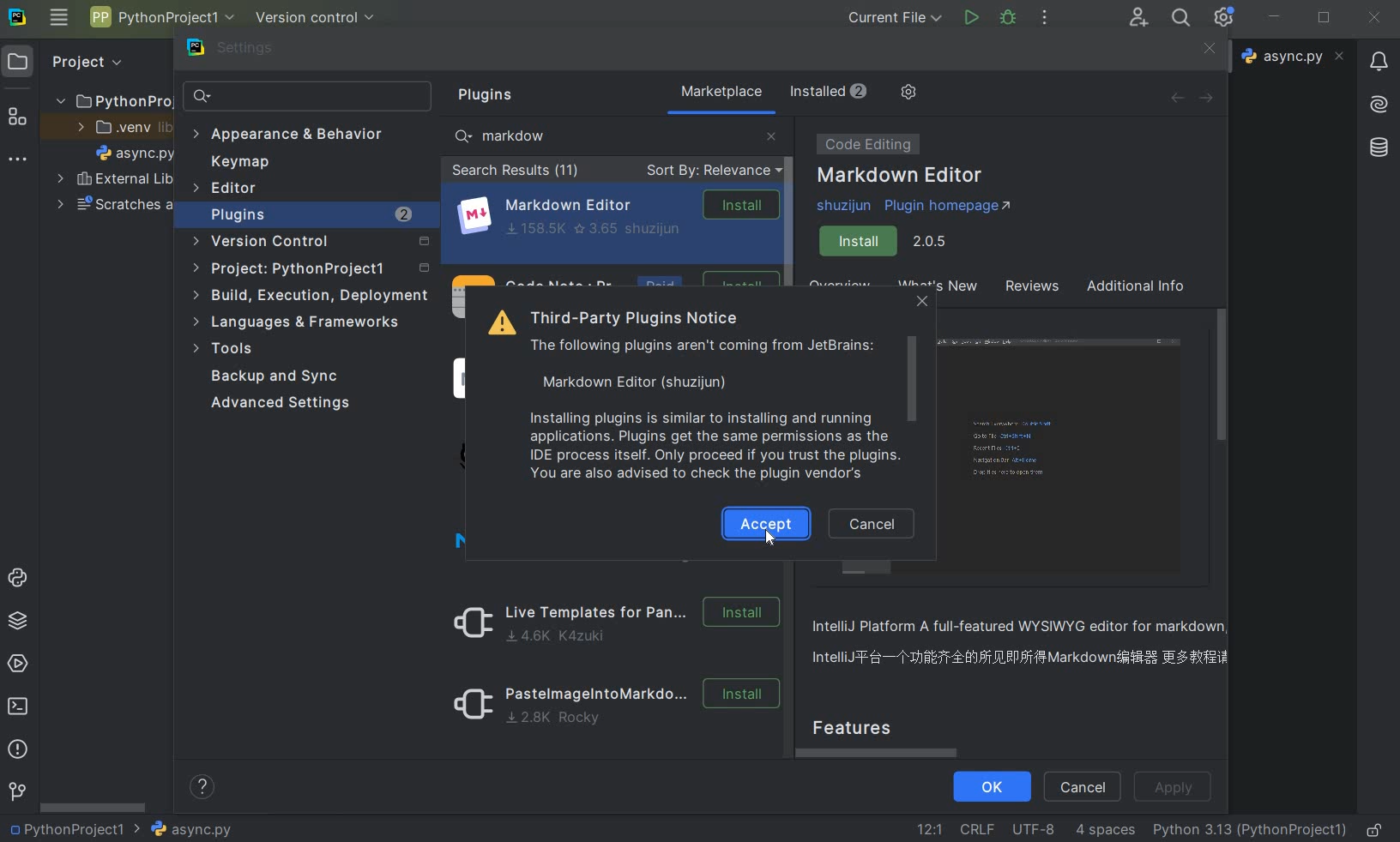  Describe the element at coordinates (59, 21) in the screenshot. I see `main menu` at that location.